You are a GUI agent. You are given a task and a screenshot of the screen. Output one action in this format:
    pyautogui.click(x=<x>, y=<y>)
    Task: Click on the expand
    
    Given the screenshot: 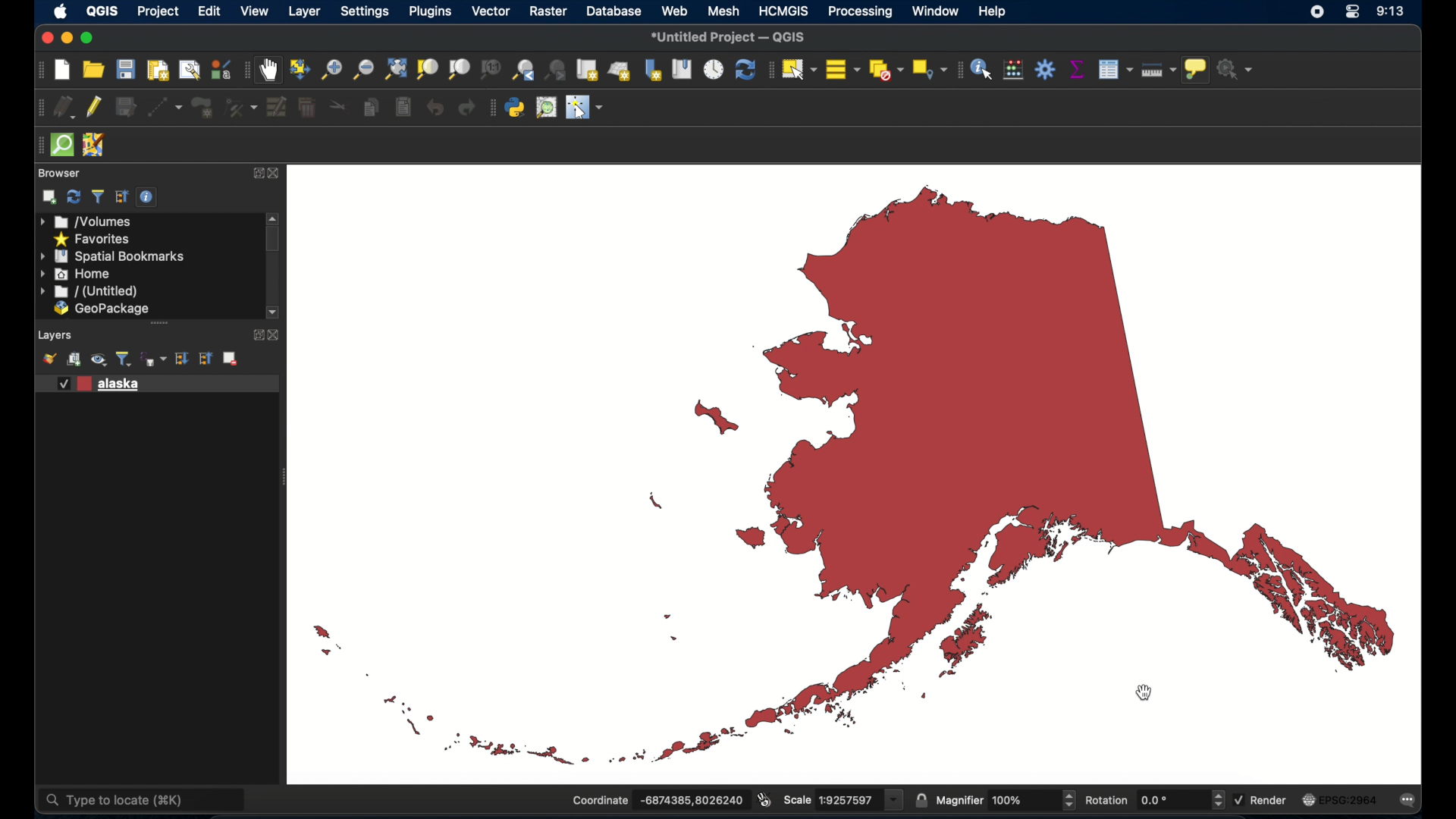 What is the action you would take?
    pyautogui.click(x=256, y=334)
    